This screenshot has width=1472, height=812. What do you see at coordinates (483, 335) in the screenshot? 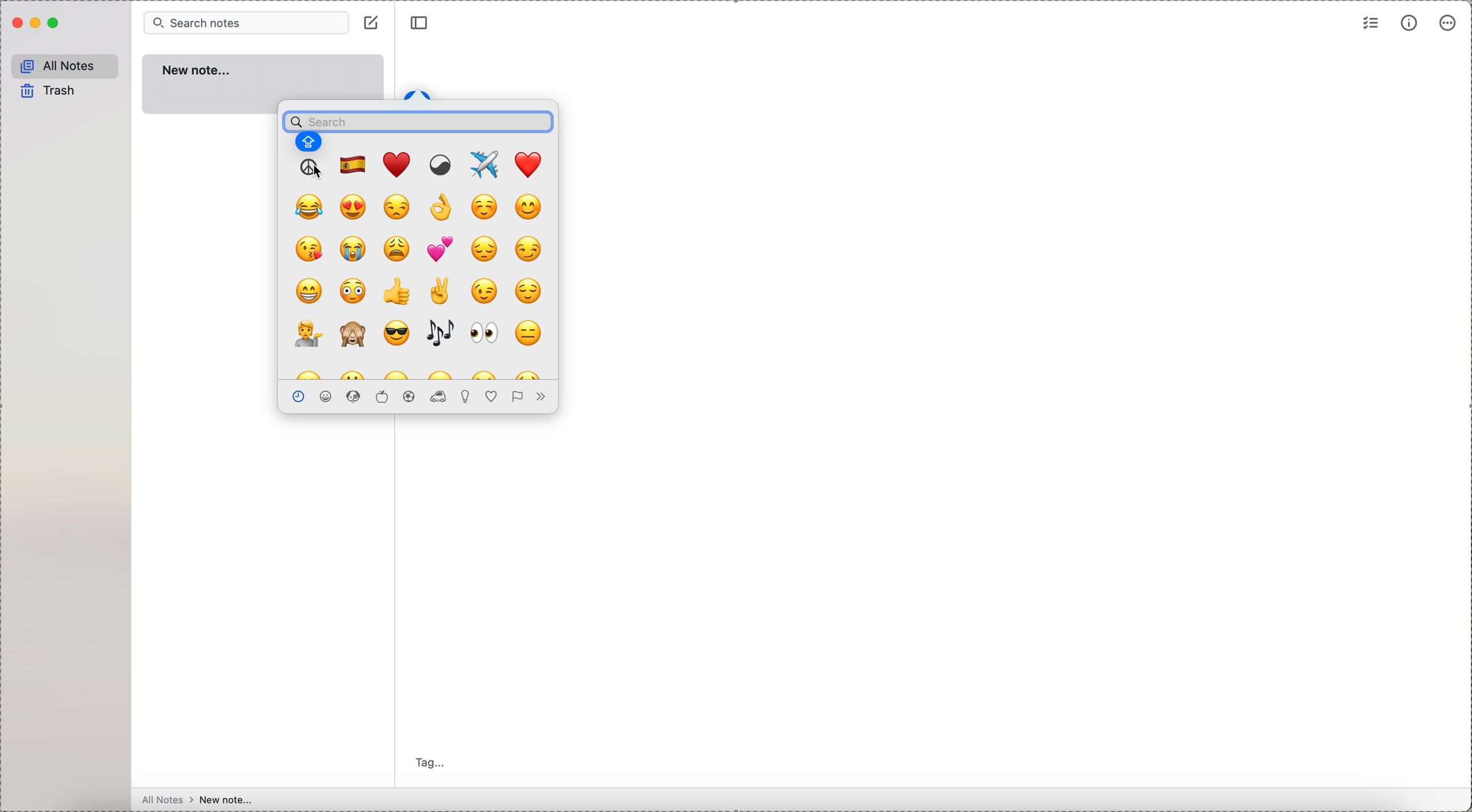
I see `emoji` at bounding box center [483, 335].